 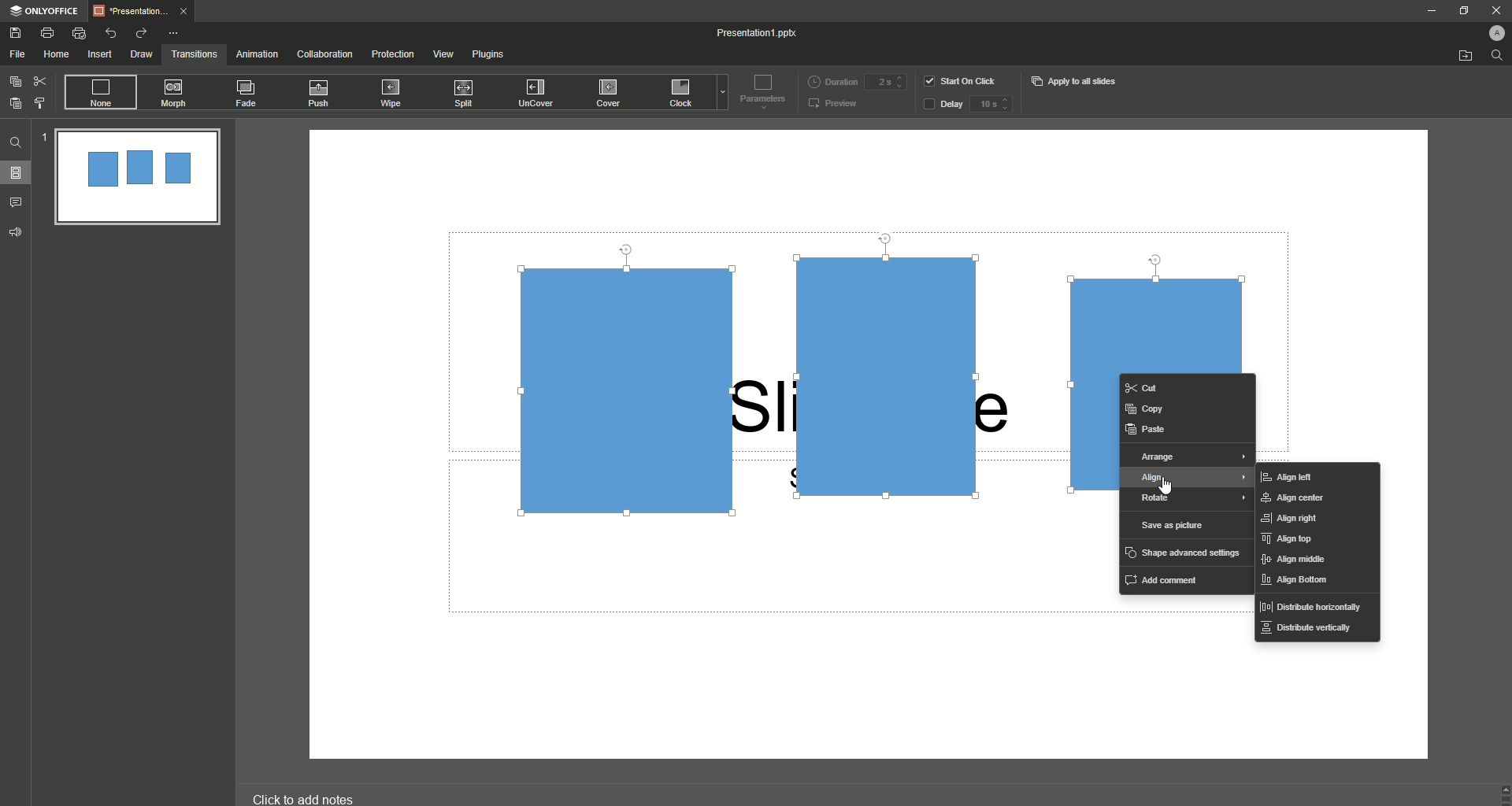 I want to click on duration input, so click(x=885, y=83).